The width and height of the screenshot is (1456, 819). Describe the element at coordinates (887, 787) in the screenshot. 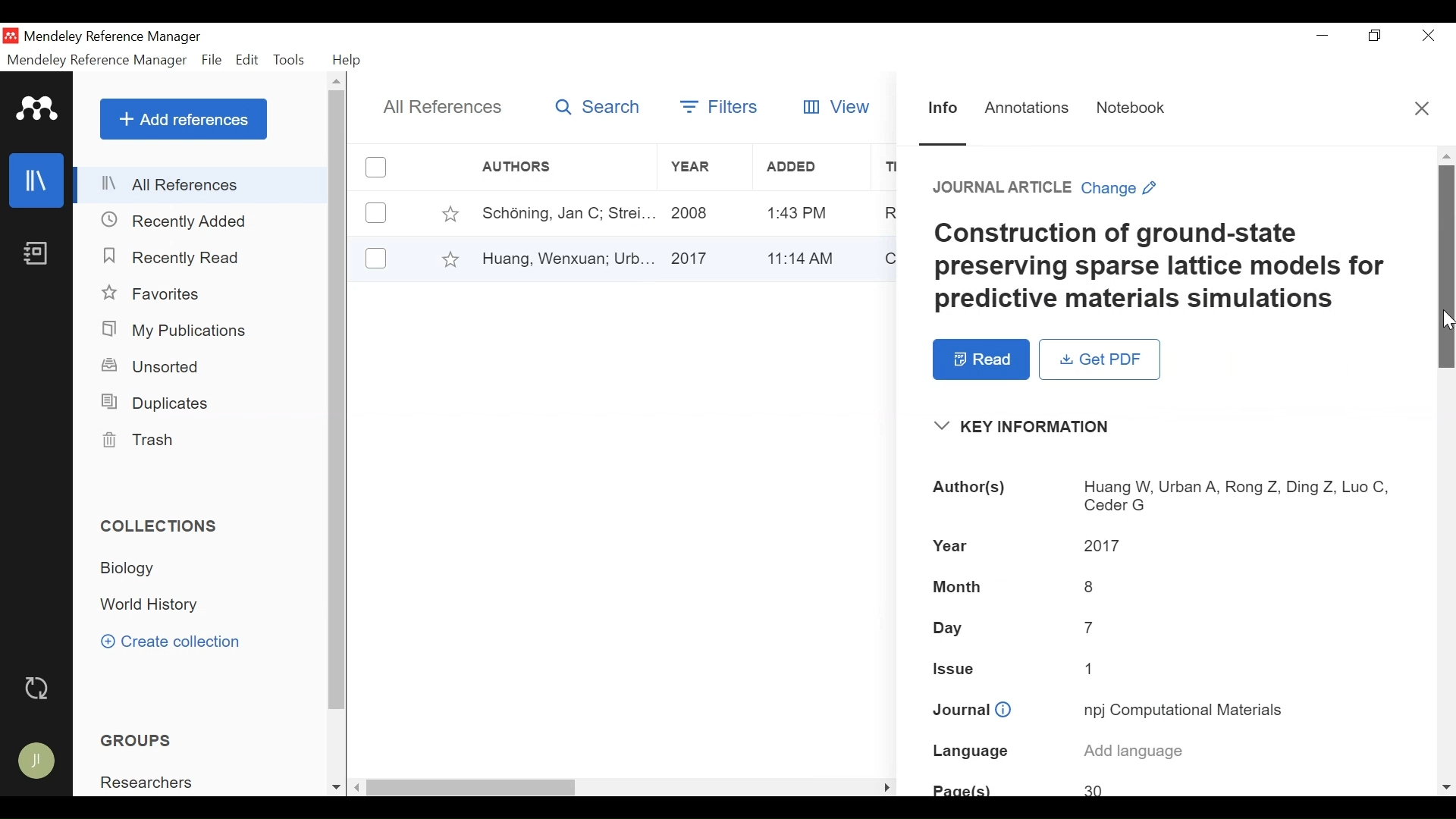

I see `Scroll Right` at that location.